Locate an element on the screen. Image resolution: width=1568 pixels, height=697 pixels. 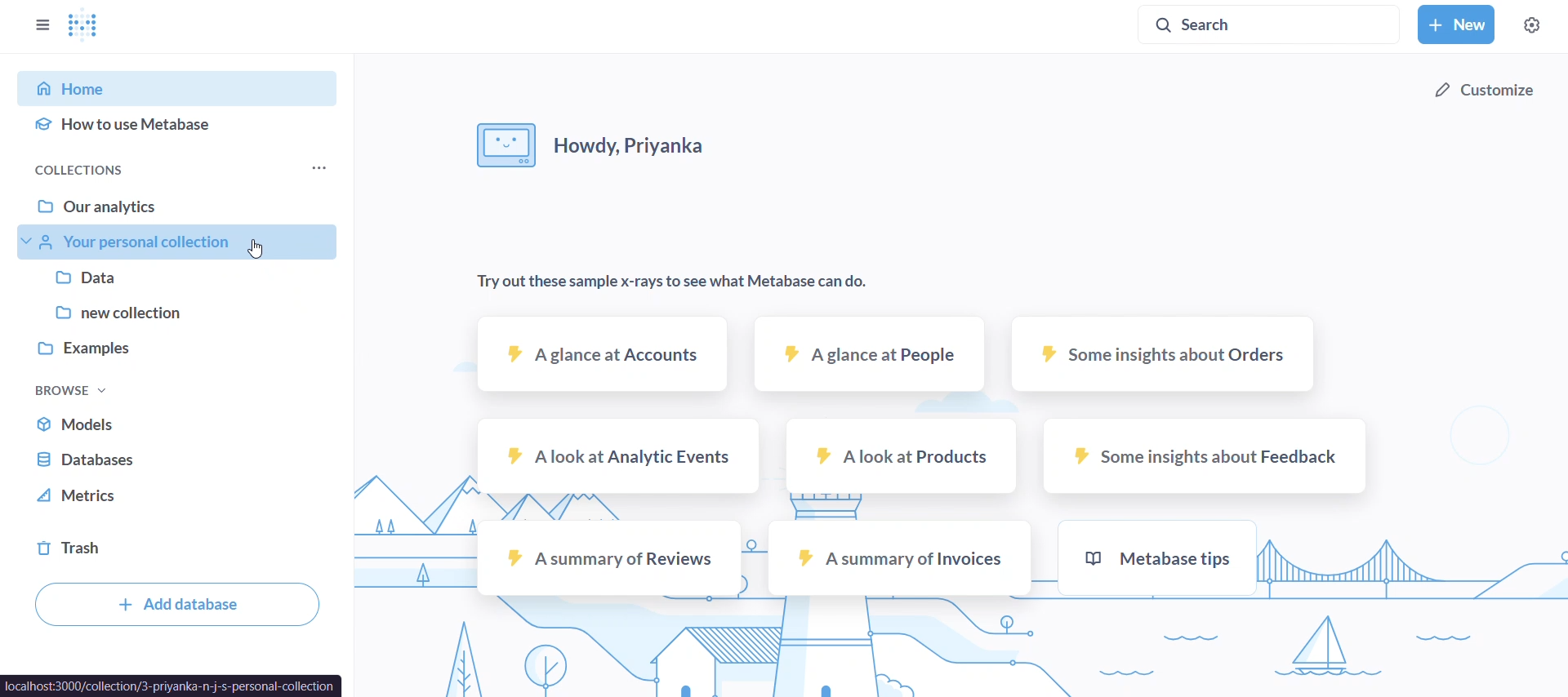
howdy, priyanka is located at coordinates (595, 147).